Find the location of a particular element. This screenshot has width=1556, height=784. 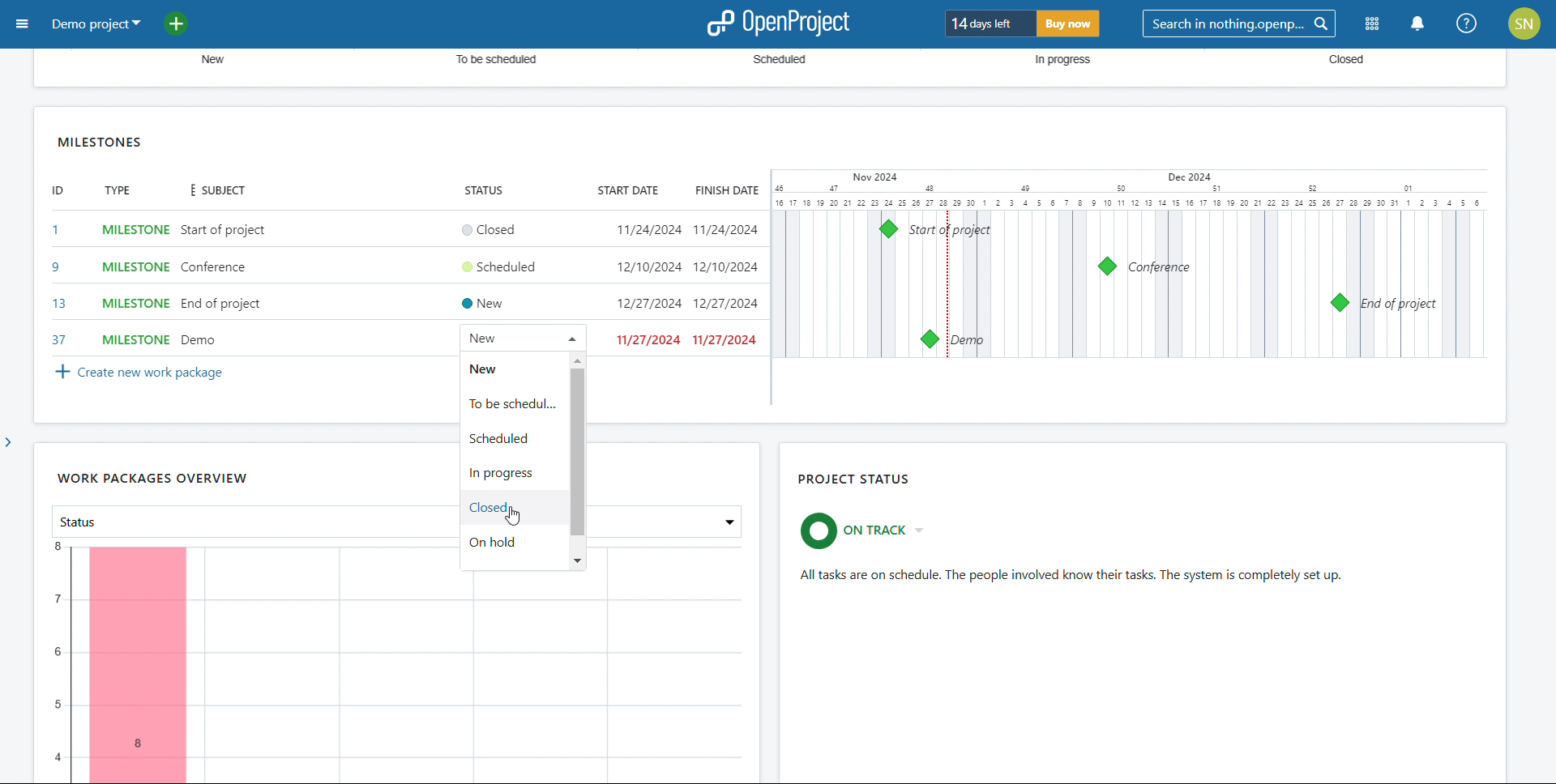

milestones is located at coordinates (101, 141).